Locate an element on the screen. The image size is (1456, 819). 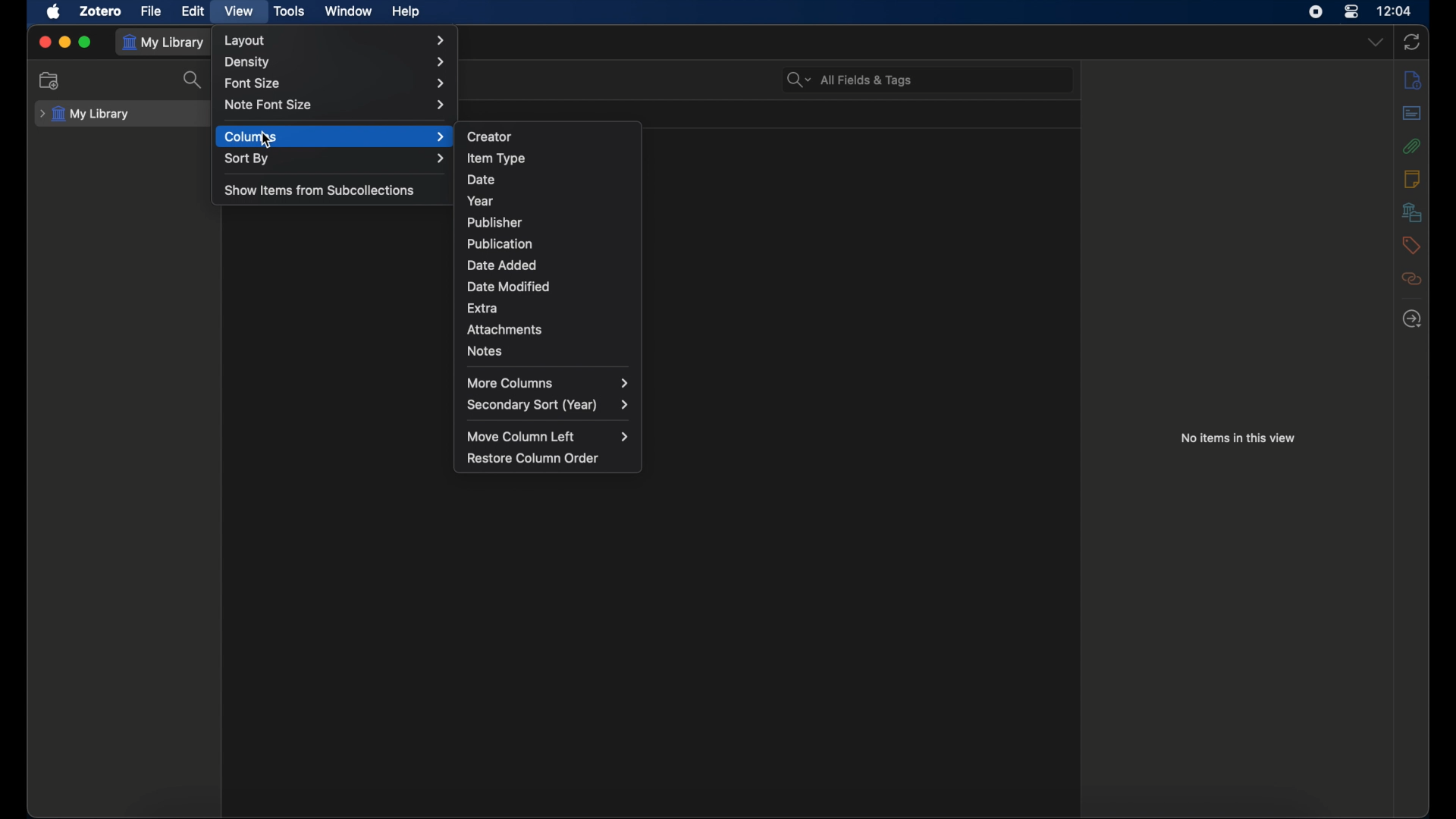
notes is located at coordinates (1411, 178).